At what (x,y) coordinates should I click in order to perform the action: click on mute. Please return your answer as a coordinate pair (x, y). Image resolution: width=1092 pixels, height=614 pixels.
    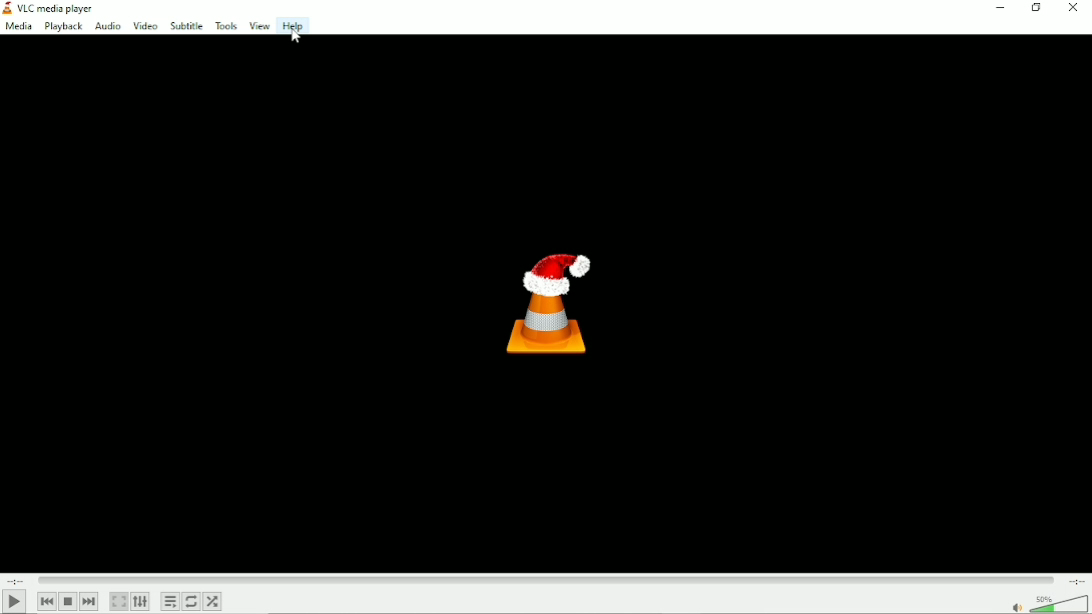
    Looking at the image, I should click on (1017, 606).